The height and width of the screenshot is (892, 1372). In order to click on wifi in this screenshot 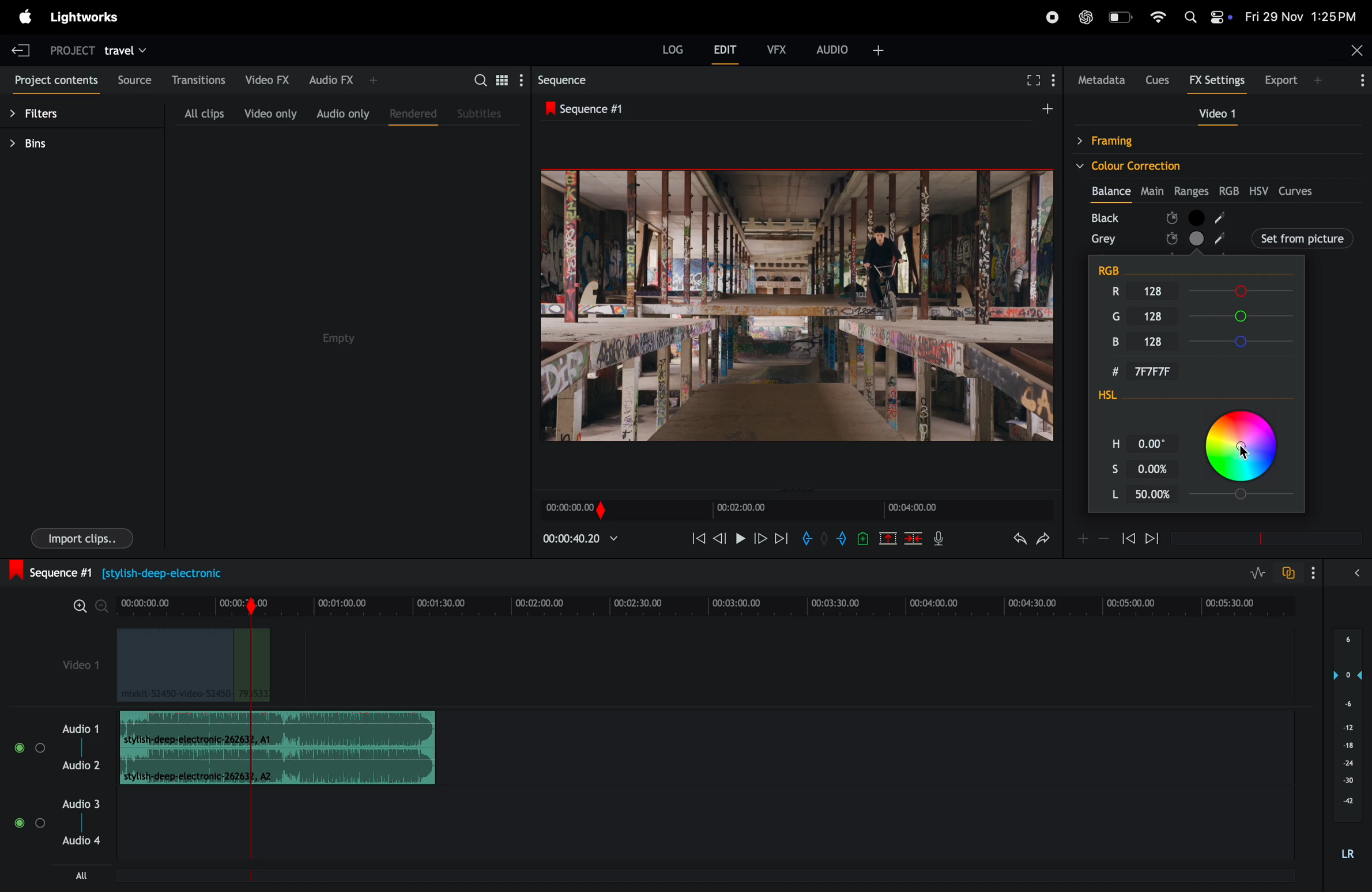, I will do `click(1158, 17)`.